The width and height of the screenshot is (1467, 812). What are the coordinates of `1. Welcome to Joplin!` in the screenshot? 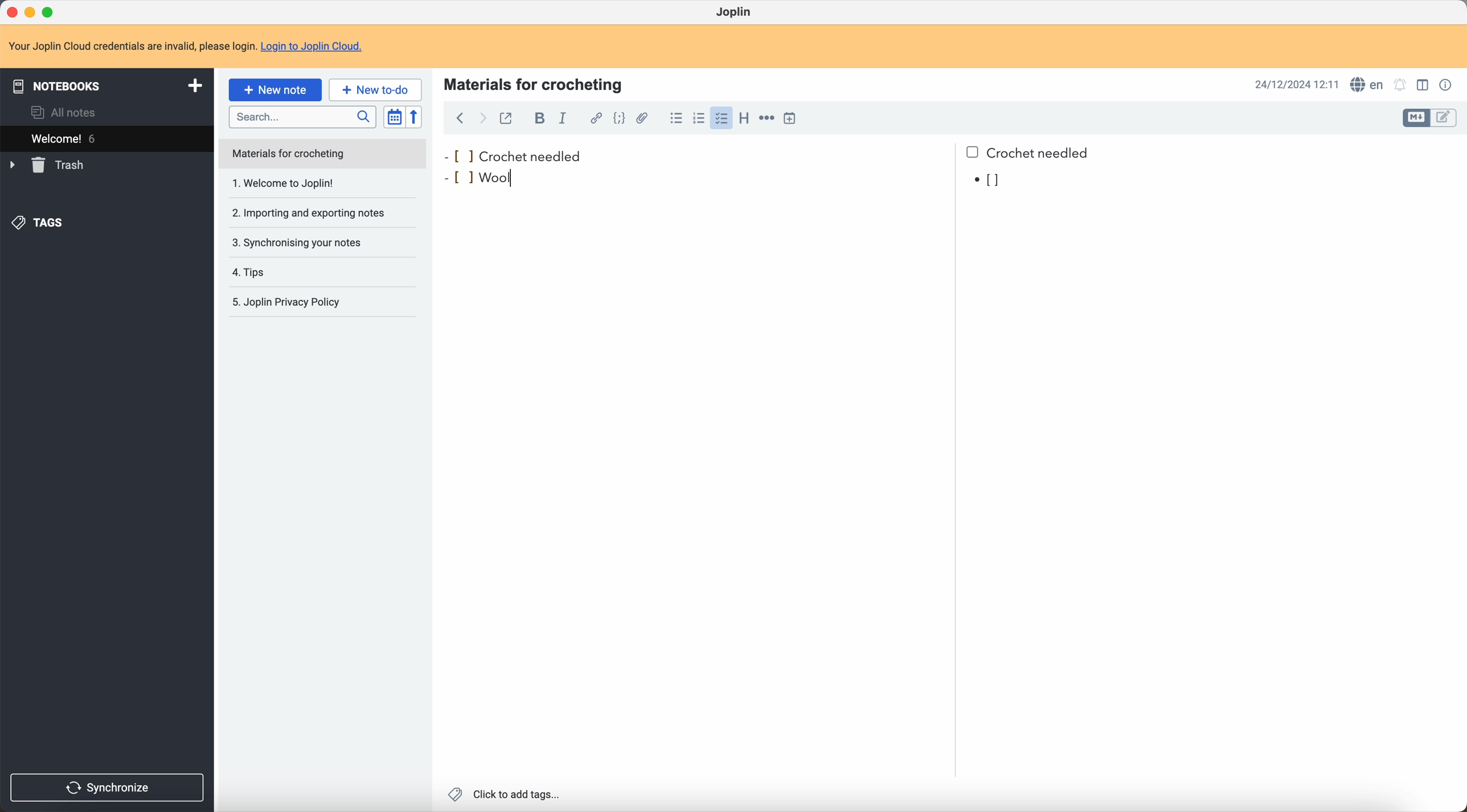 It's located at (315, 184).